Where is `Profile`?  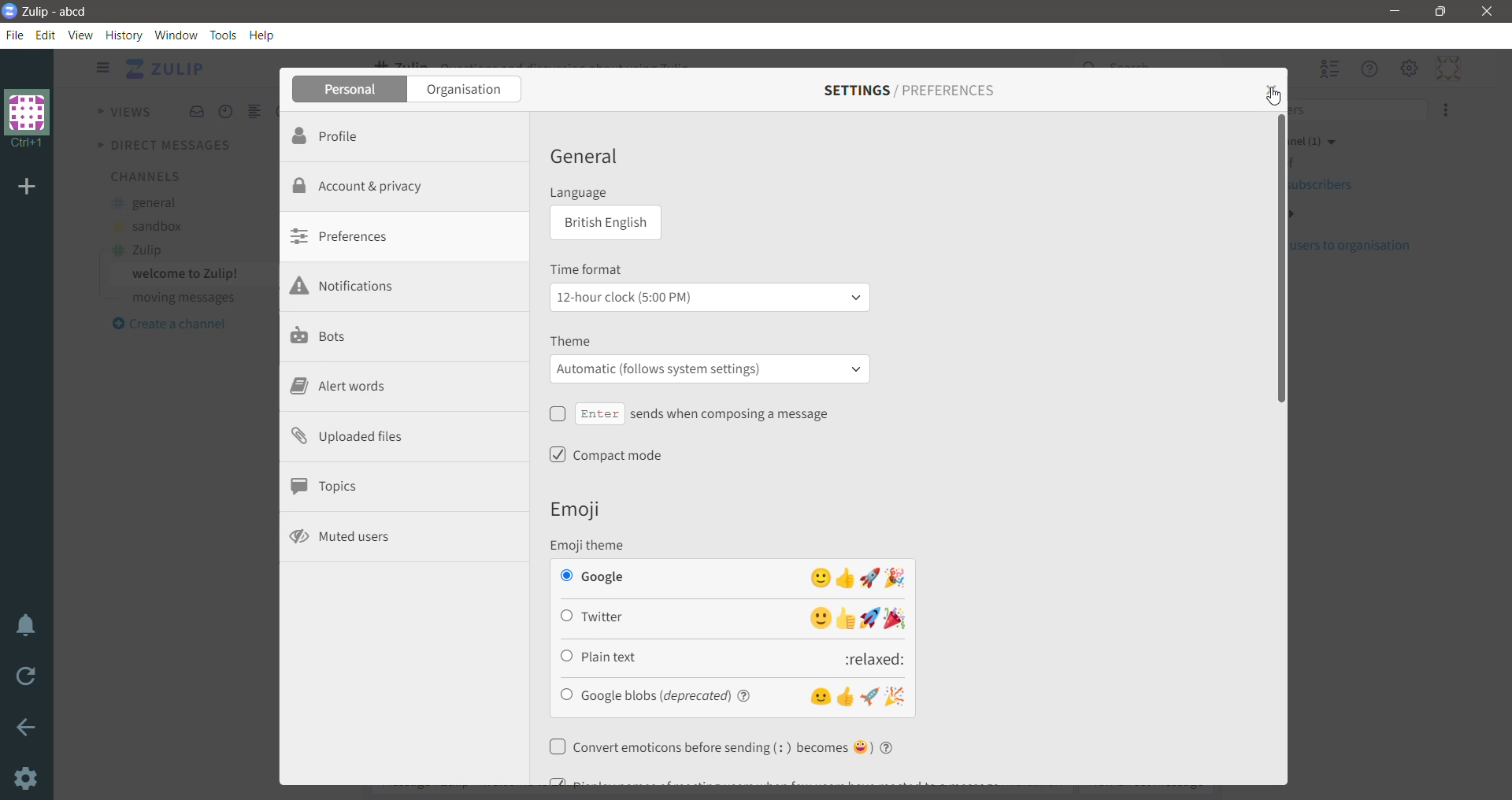 Profile is located at coordinates (341, 139).